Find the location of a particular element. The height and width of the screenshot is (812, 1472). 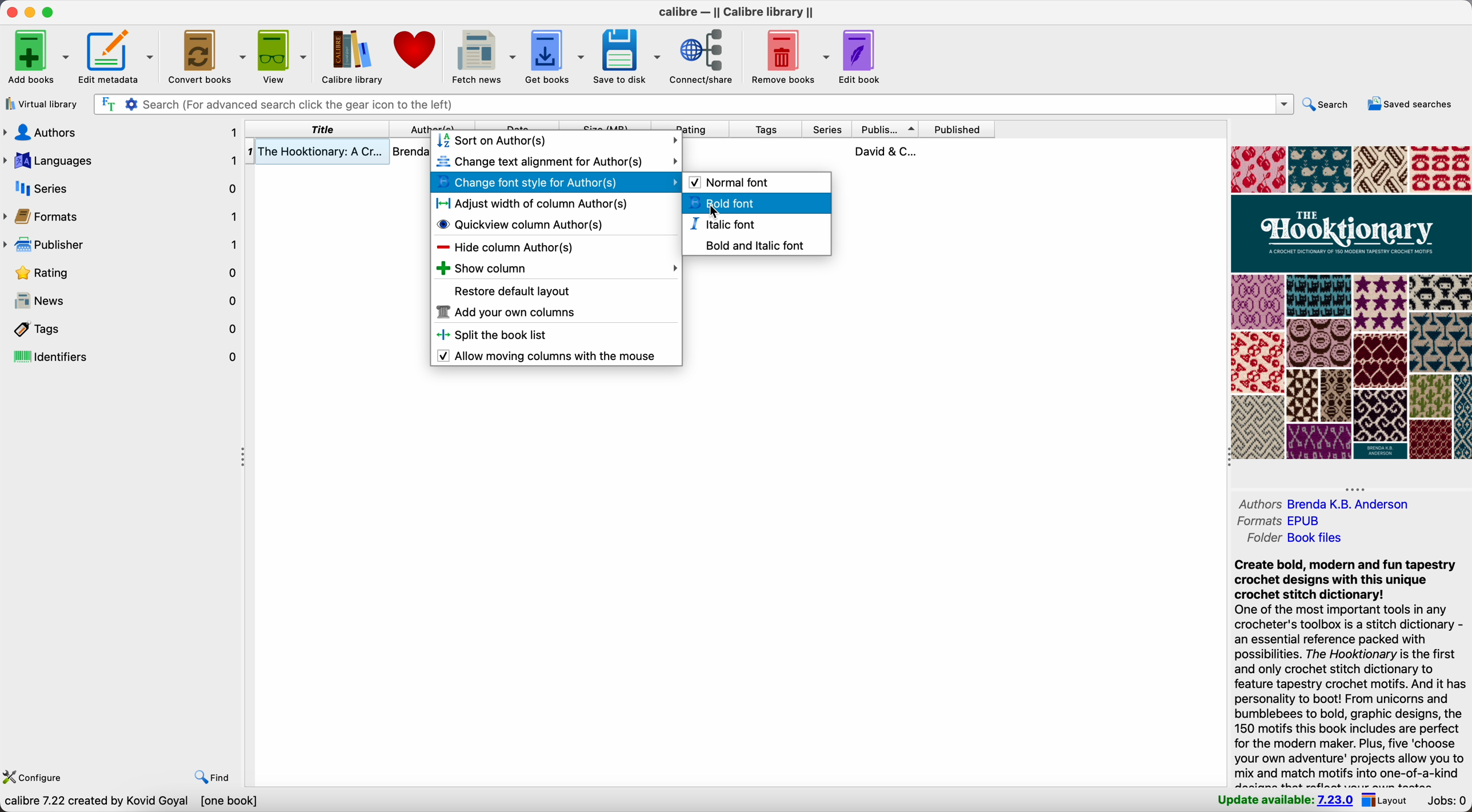

formats is located at coordinates (1282, 520).